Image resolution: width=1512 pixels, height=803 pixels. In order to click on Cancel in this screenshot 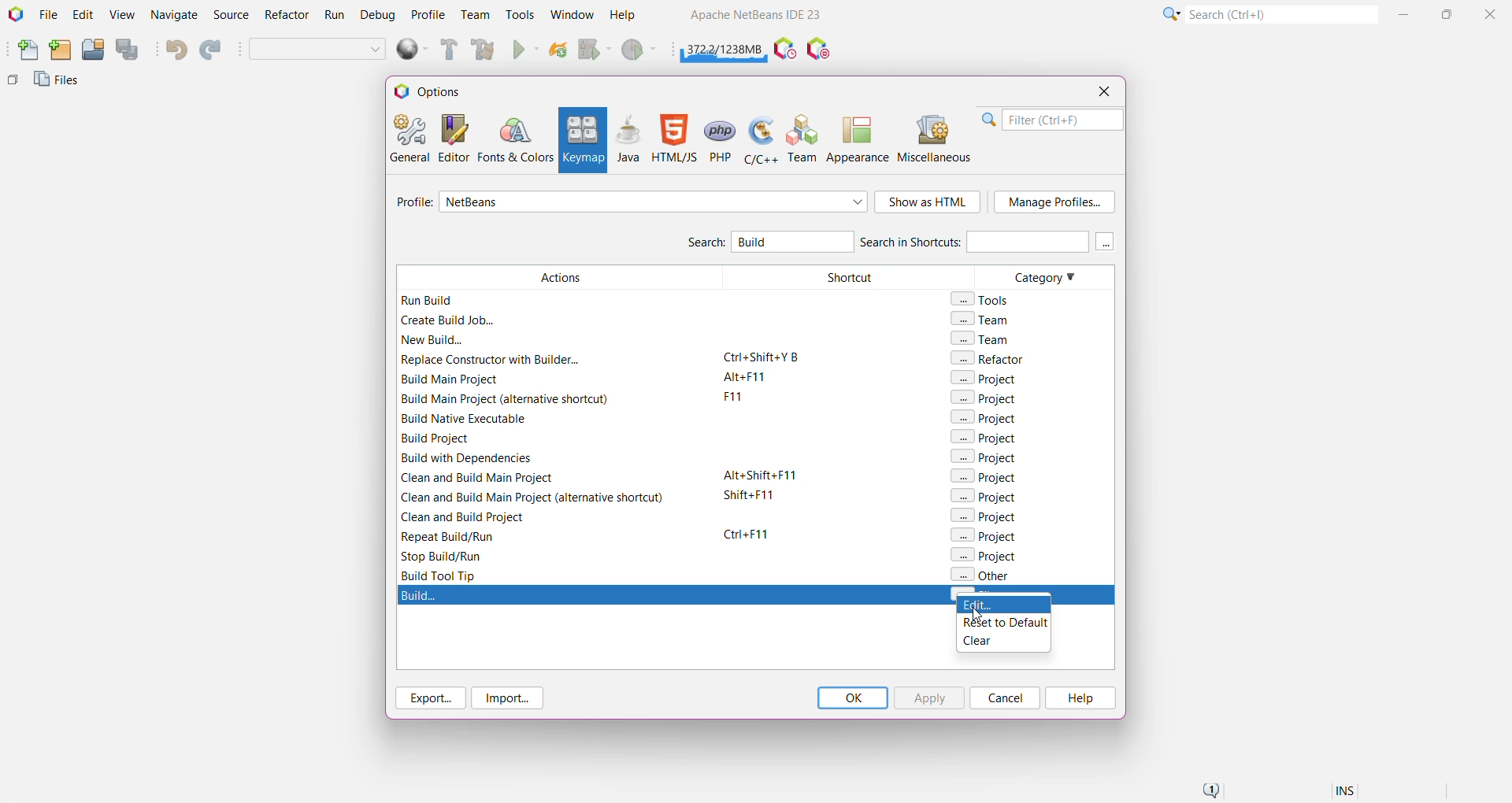, I will do `click(1005, 698)`.